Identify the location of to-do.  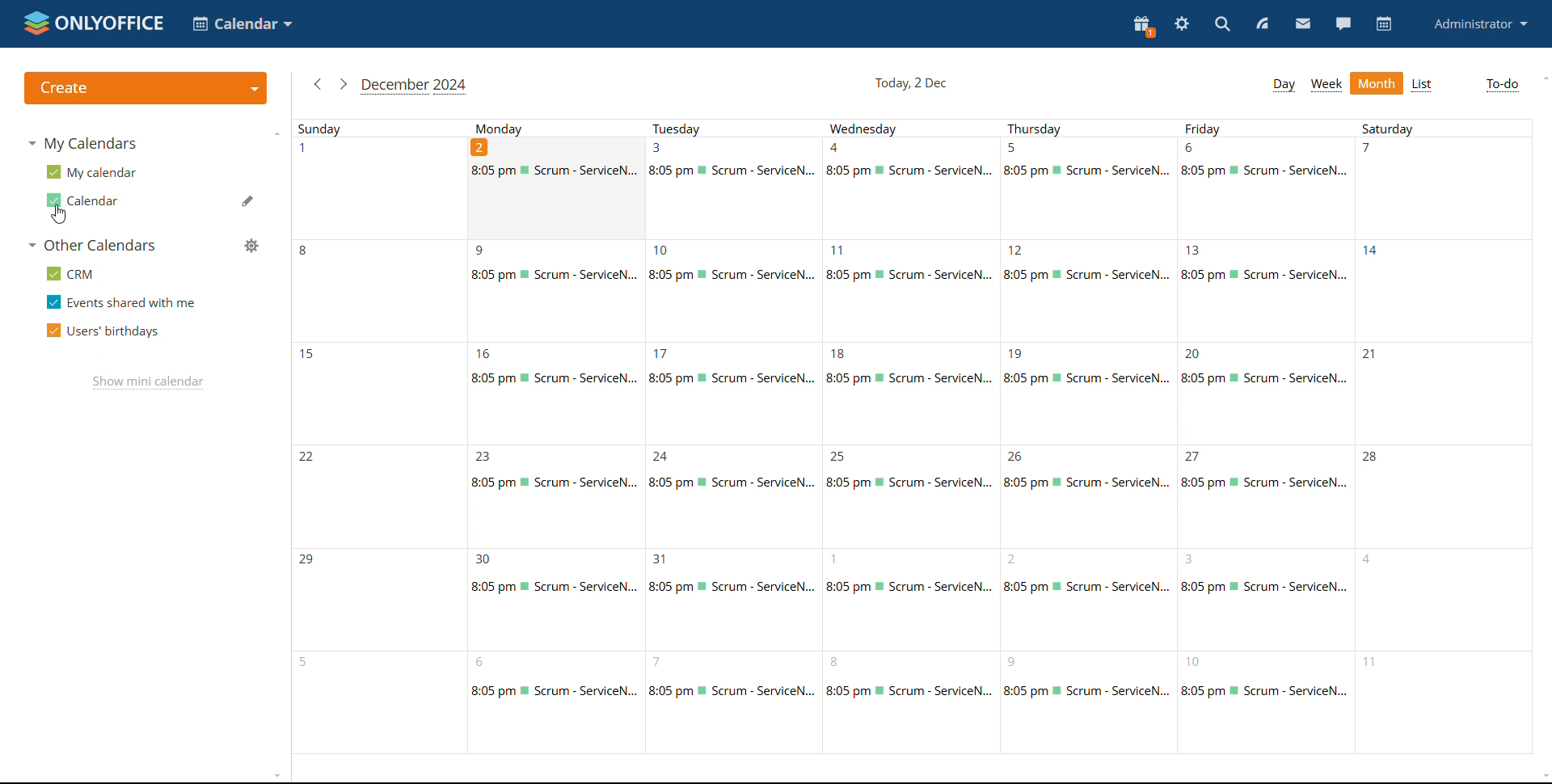
(1502, 85).